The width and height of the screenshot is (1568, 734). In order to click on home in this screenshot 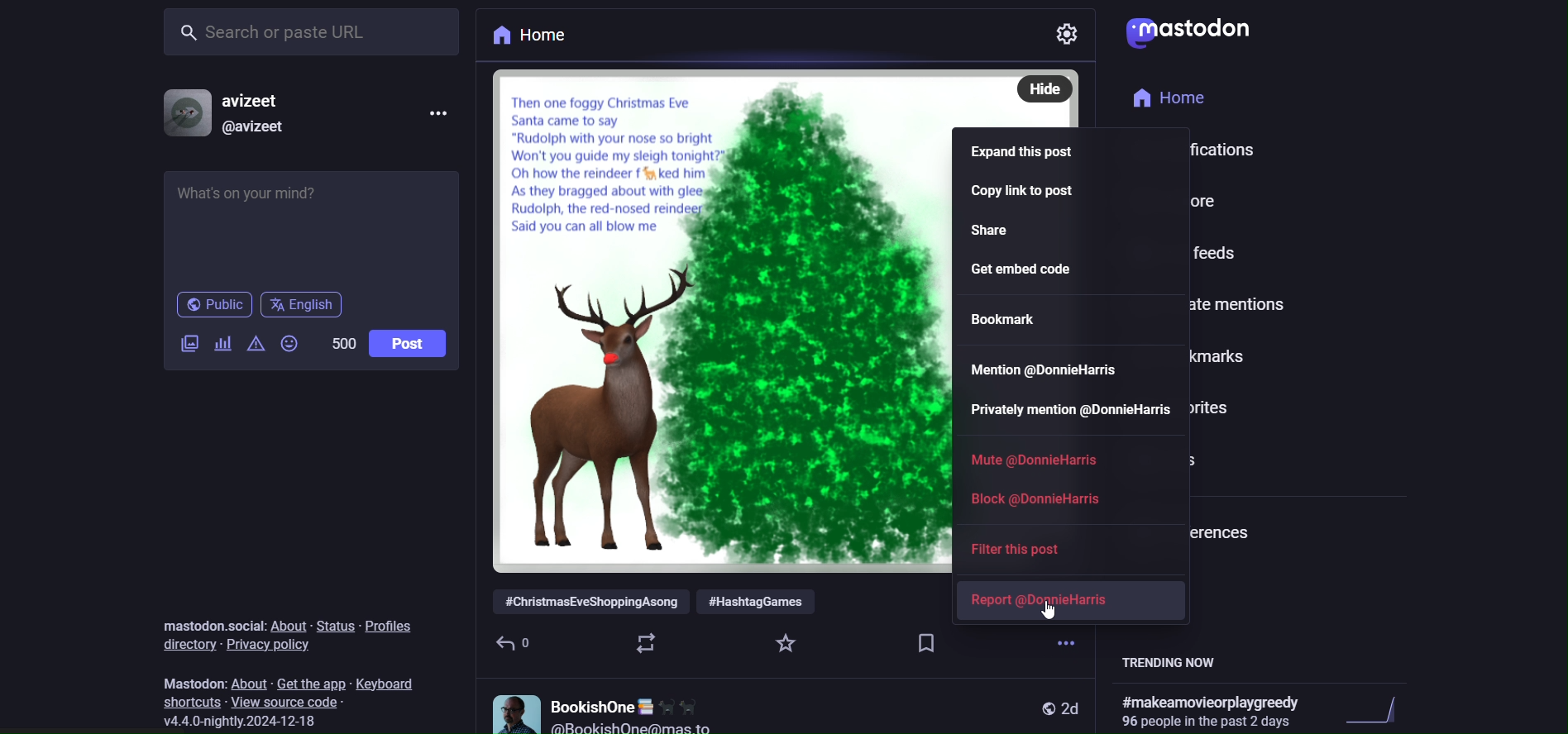, I will do `click(1167, 98)`.